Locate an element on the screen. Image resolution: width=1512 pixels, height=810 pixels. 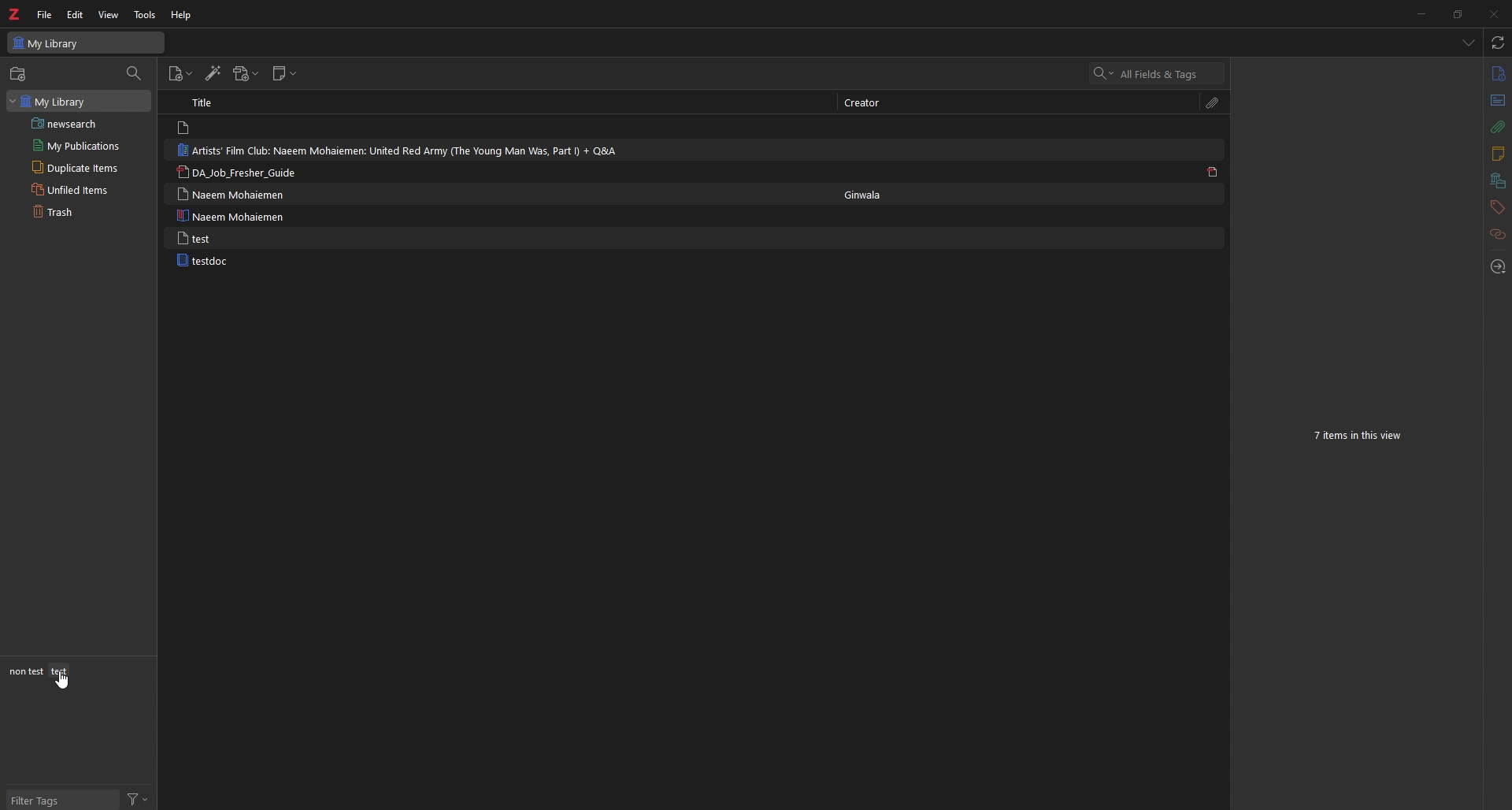
Artists’ Film Club: Naeem Mohaiemen: United Red Army (The Young Man Was, Part I) + Q&A is located at coordinates (395, 149).